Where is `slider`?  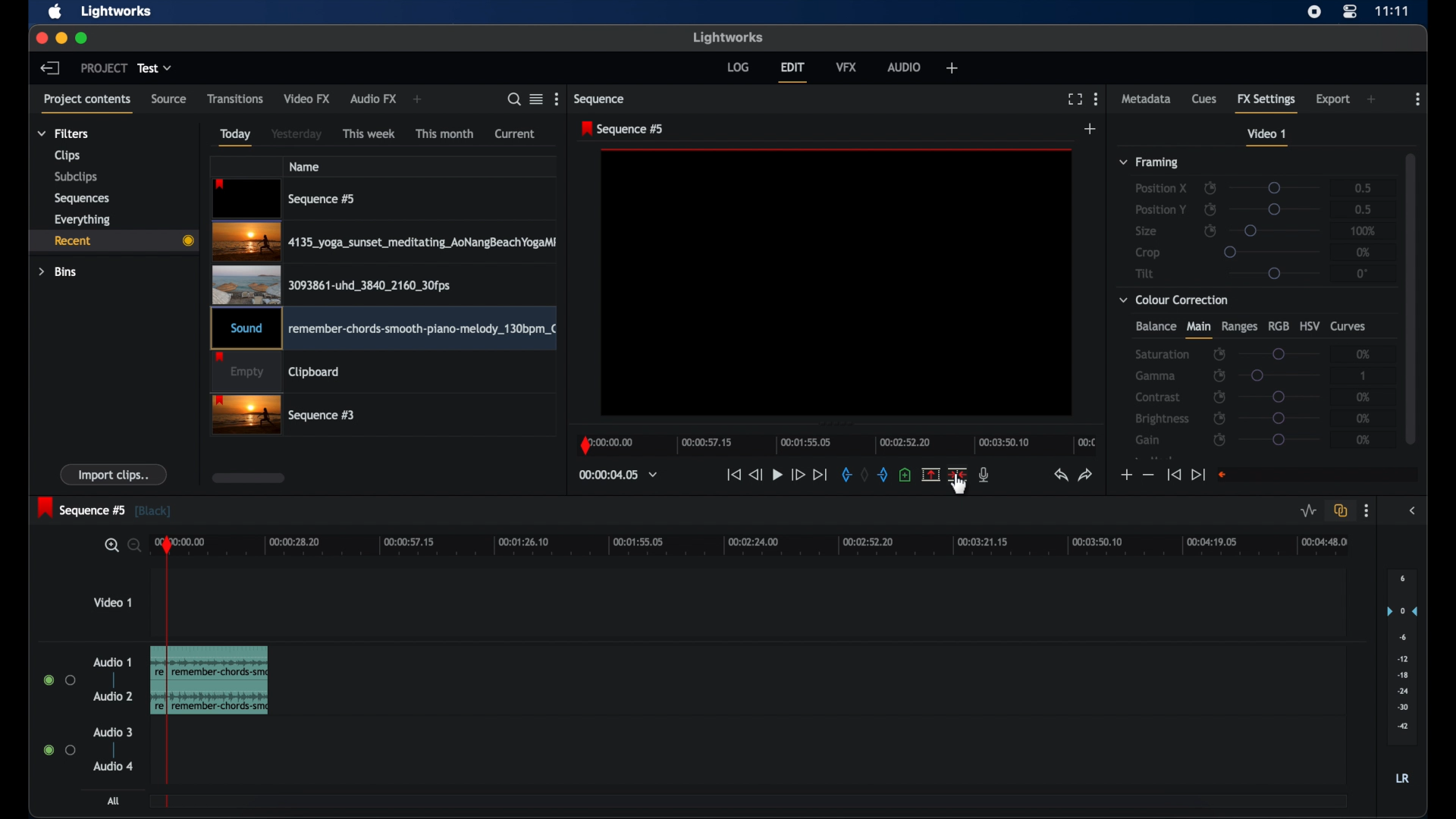
slider is located at coordinates (1271, 251).